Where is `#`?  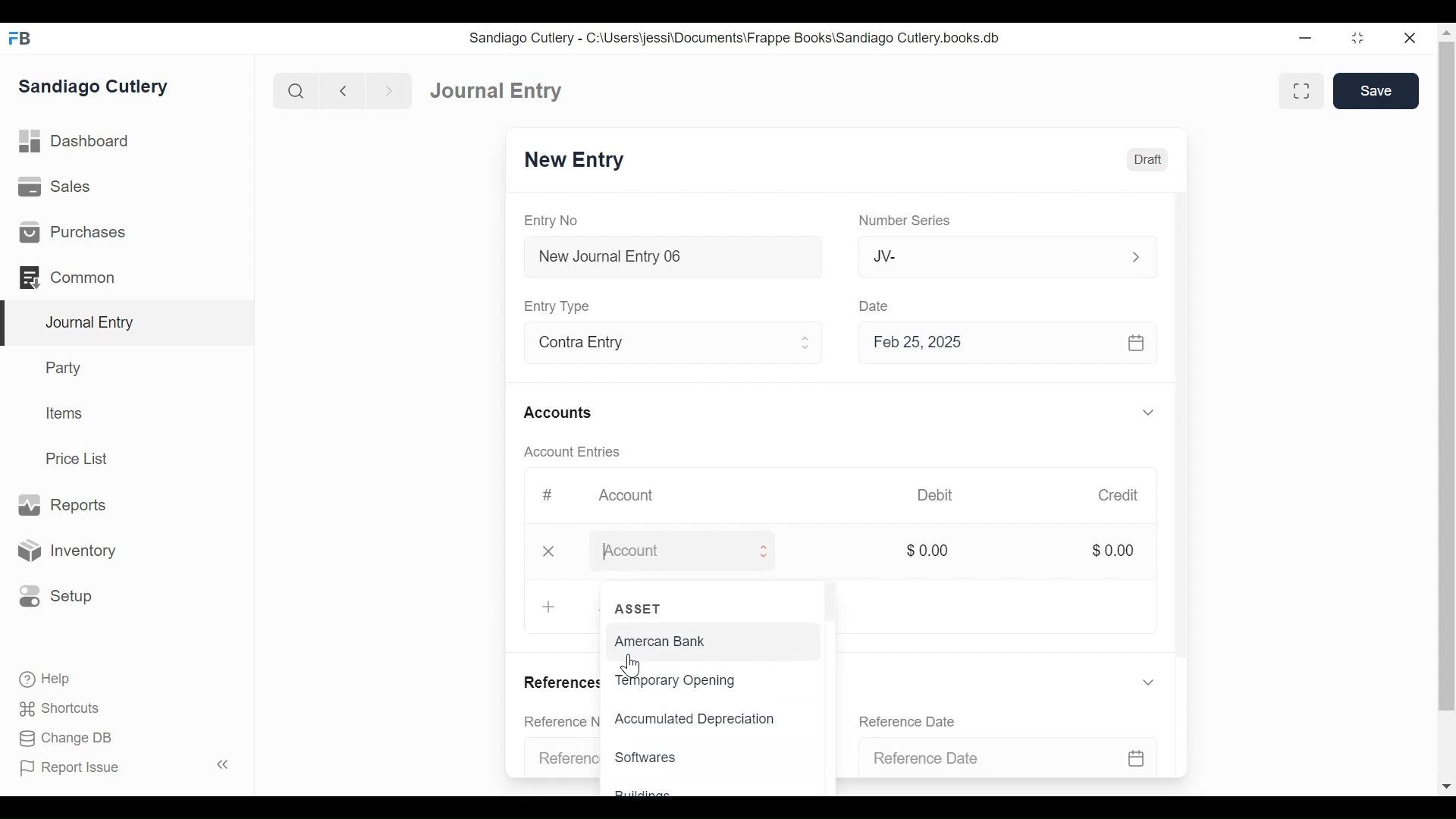 # is located at coordinates (553, 495).